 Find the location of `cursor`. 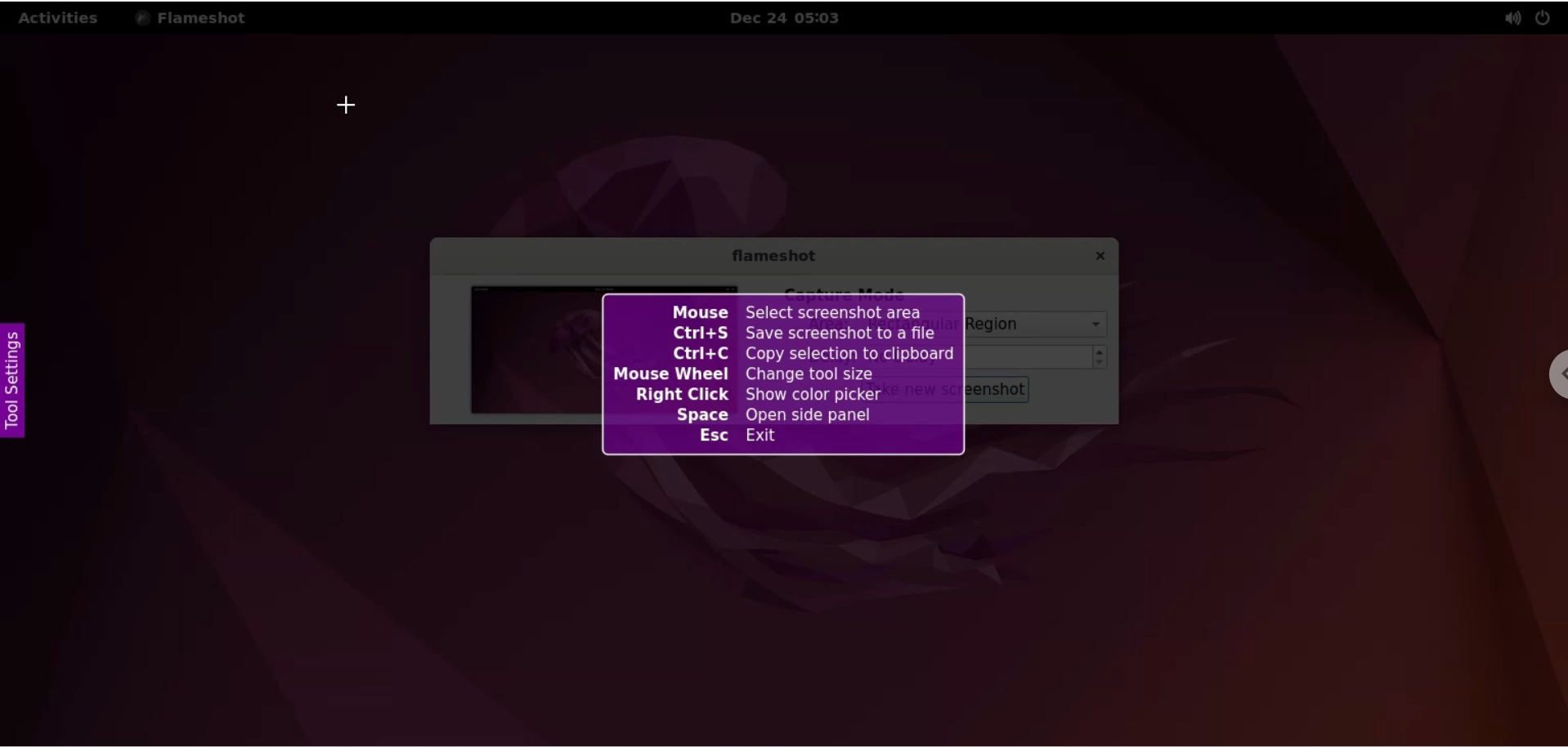

cursor is located at coordinates (348, 109).